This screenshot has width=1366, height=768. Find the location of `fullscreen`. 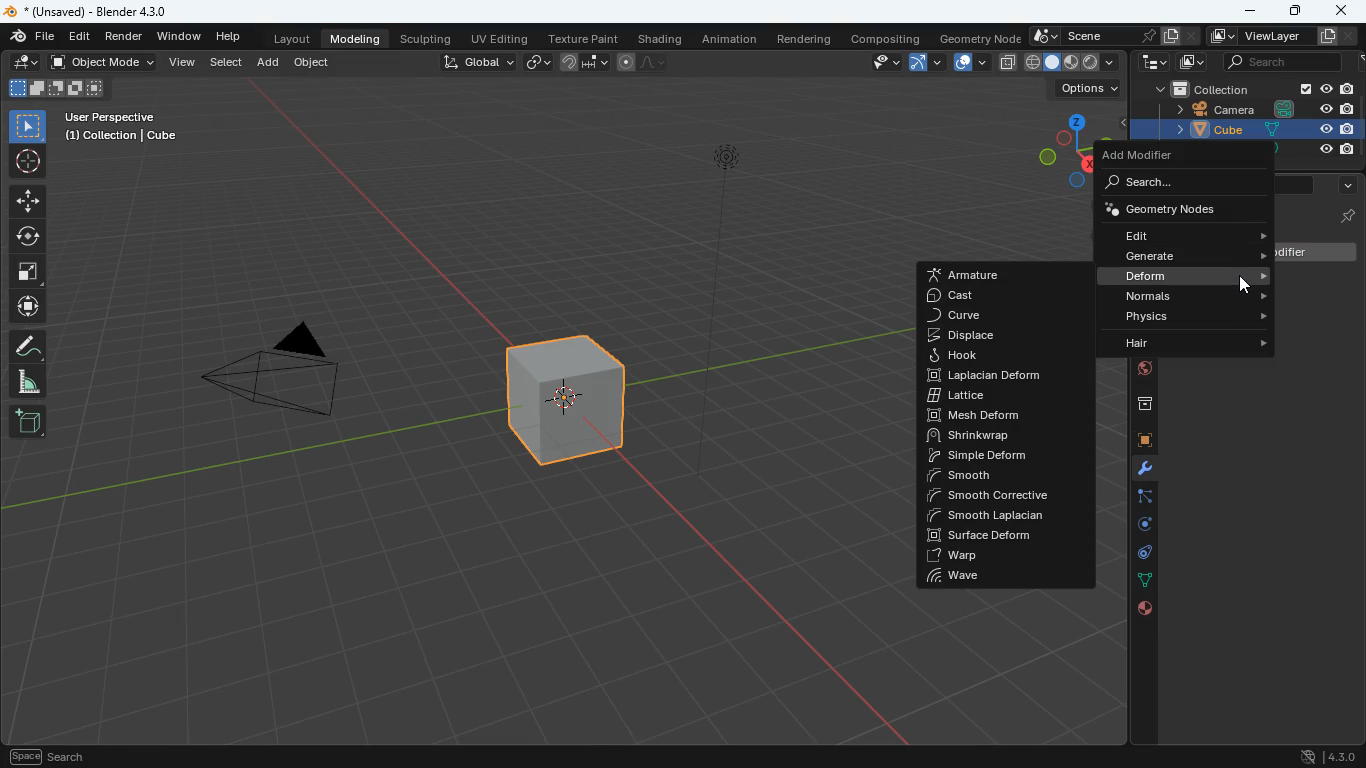

fullscreen is located at coordinates (32, 273).